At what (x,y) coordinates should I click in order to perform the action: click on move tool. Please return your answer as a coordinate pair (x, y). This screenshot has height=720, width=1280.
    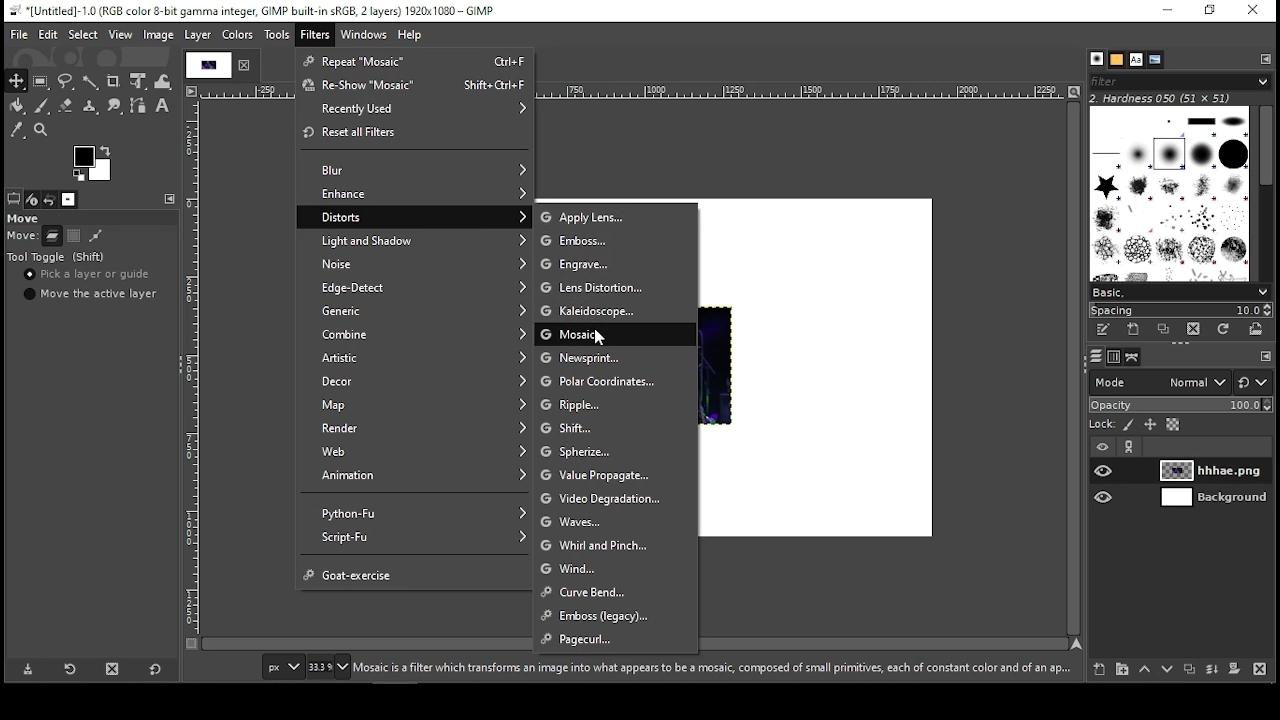
    Looking at the image, I should click on (17, 79).